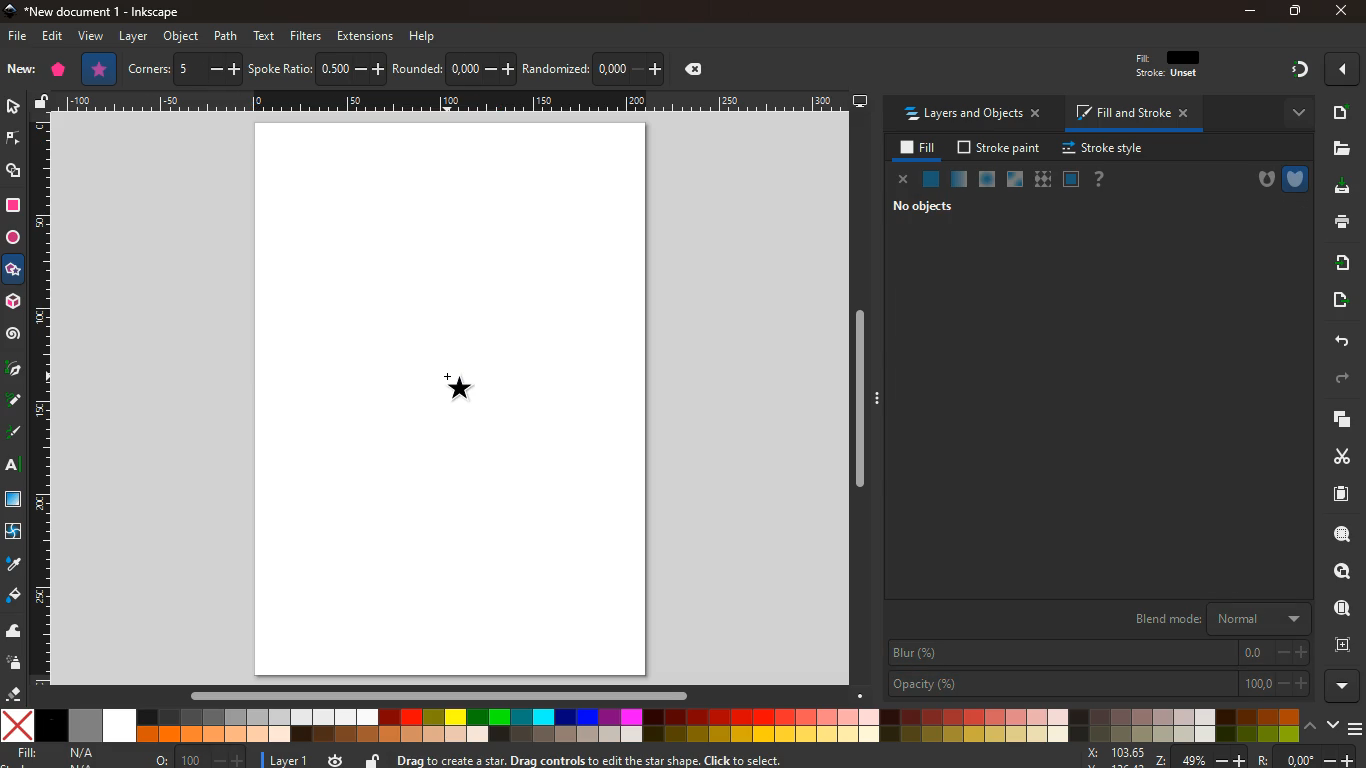  What do you see at coordinates (1098, 397) in the screenshot?
I see `a` at bounding box center [1098, 397].